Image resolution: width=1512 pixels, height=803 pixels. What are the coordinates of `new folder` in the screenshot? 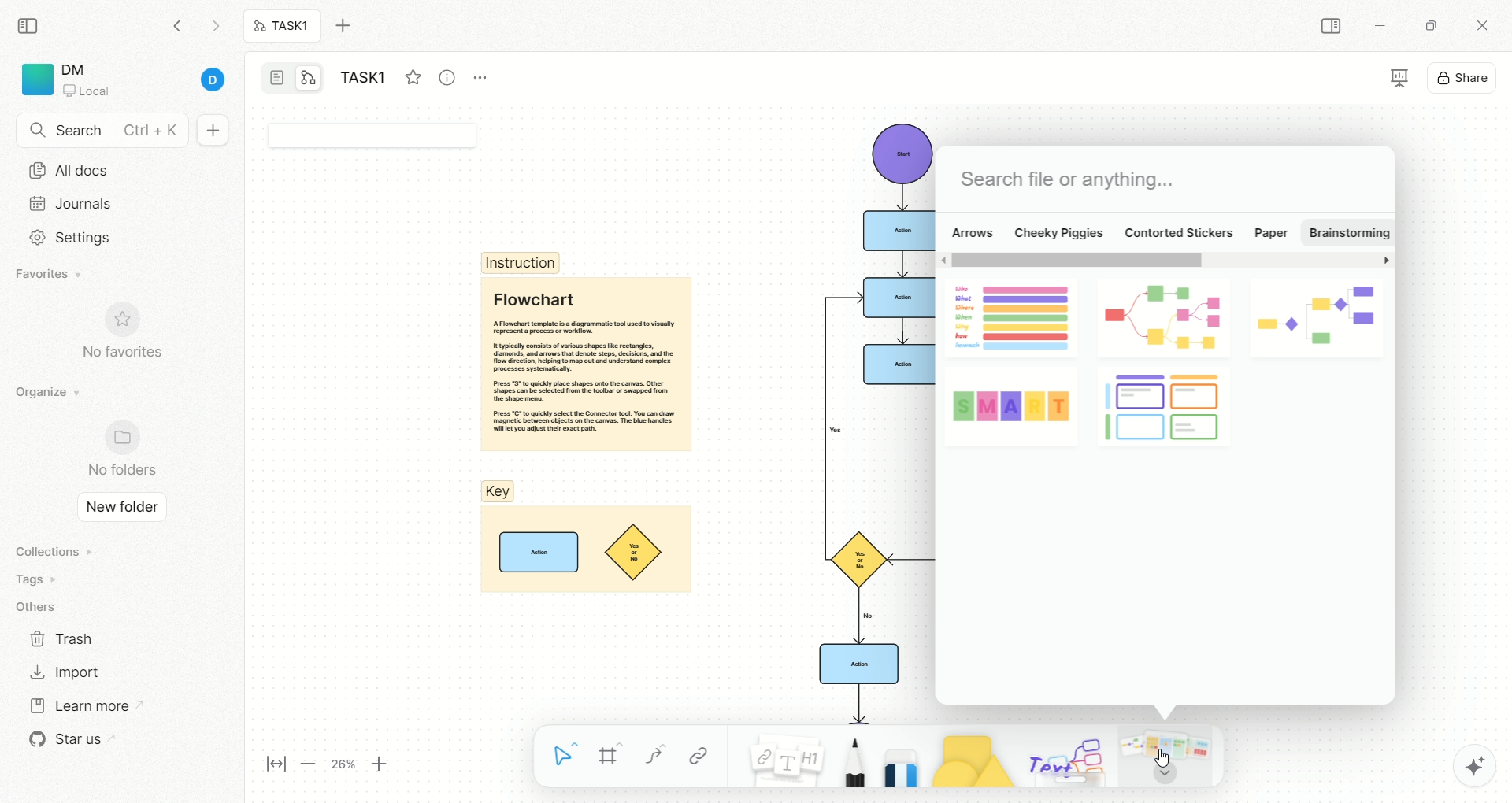 It's located at (117, 509).